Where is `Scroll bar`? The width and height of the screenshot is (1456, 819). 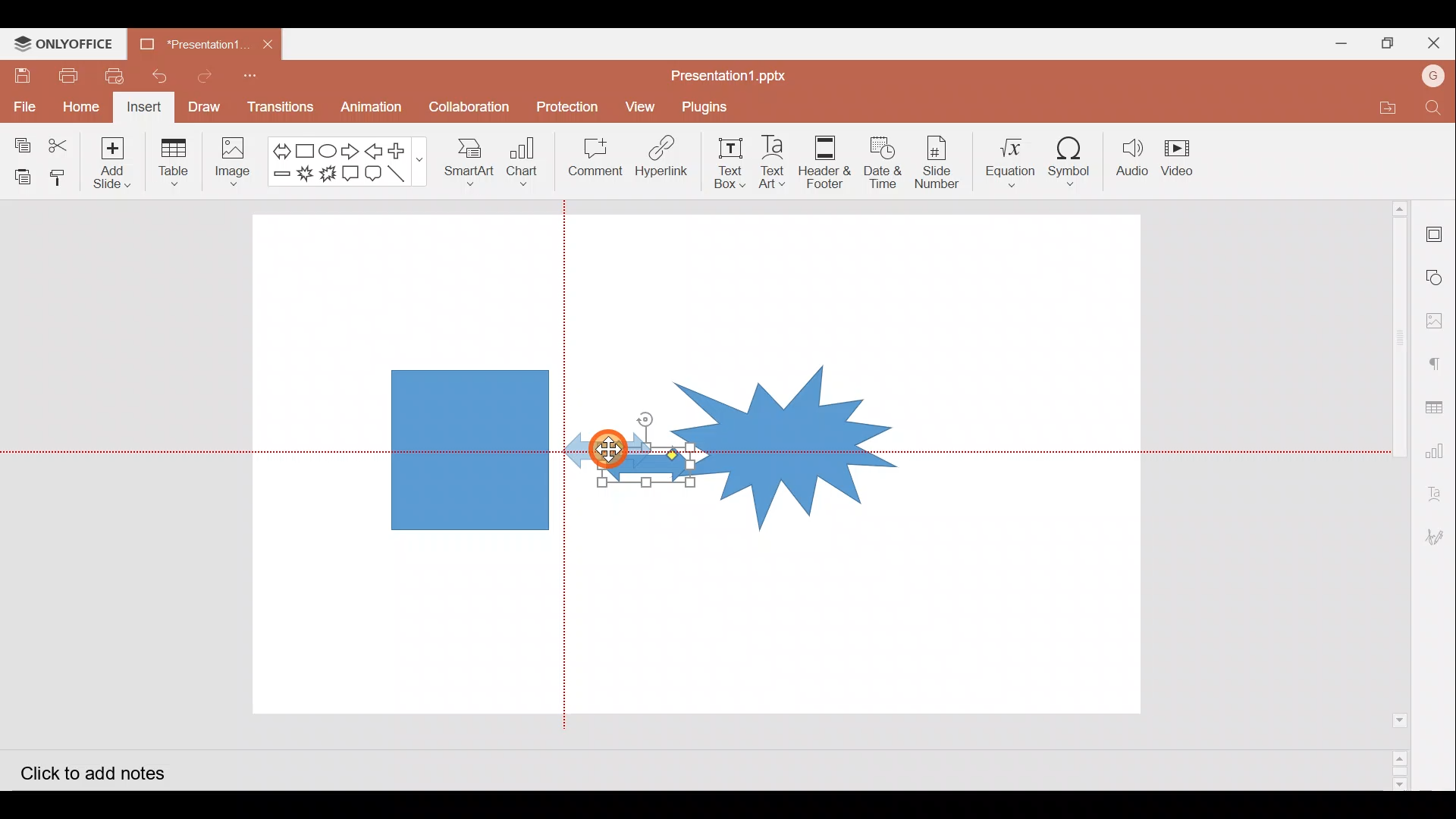 Scroll bar is located at coordinates (1393, 494).